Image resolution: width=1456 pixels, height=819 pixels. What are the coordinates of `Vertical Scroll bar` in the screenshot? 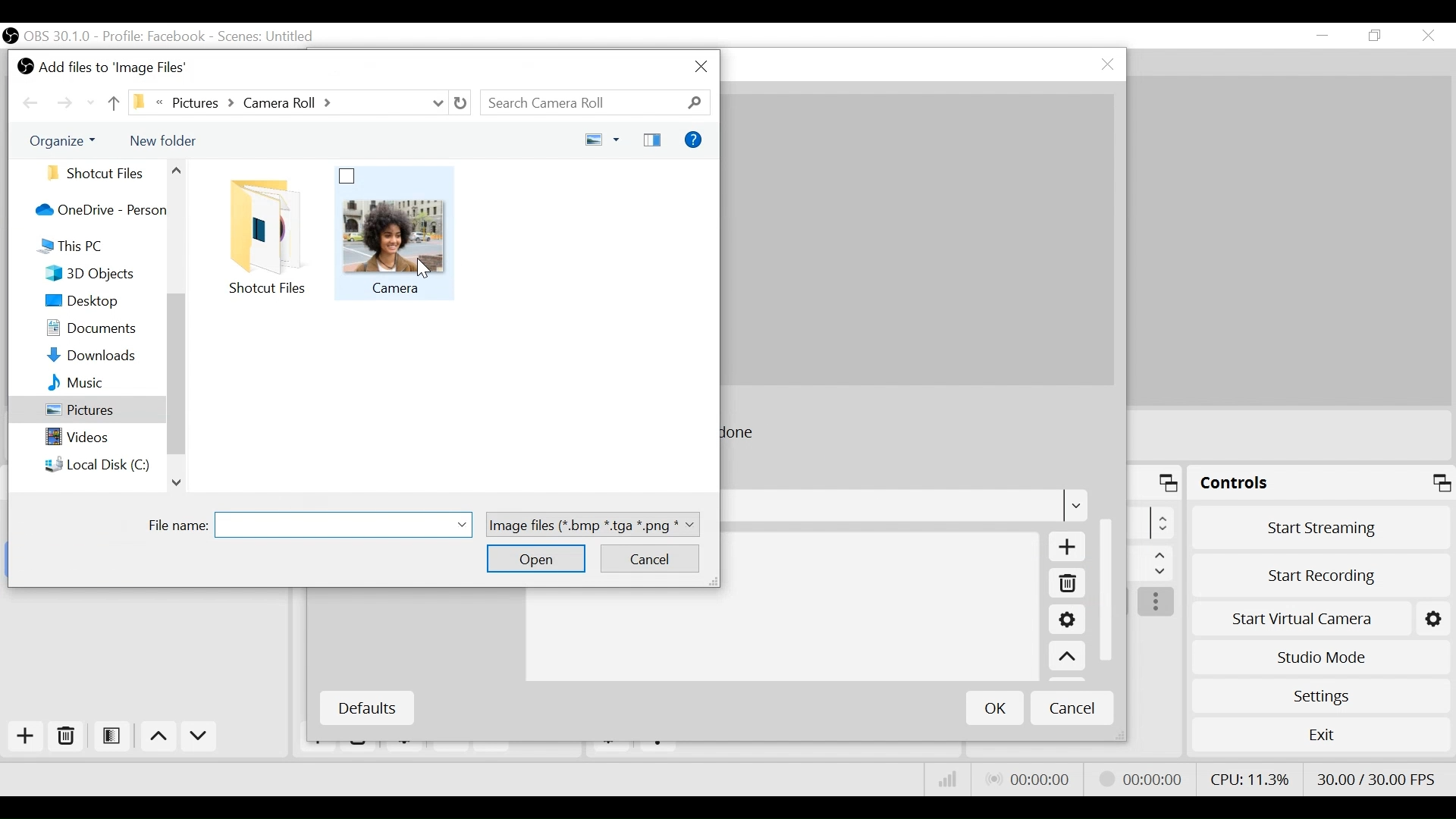 It's located at (1109, 587).